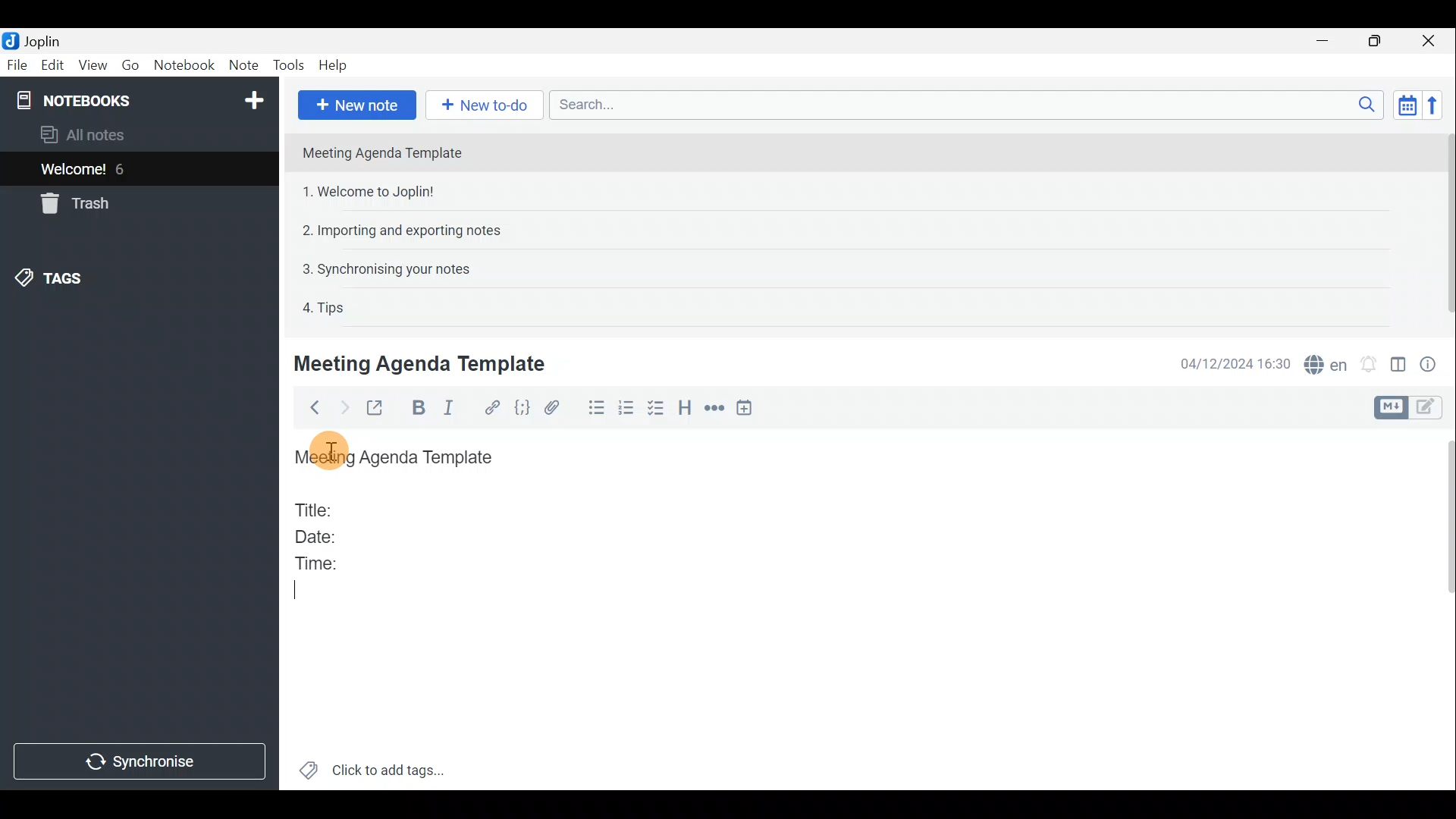  What do you see at coordinates (494, 407) in the screenshot?
I see `Hyperlink` at bounding box center [494, 407].